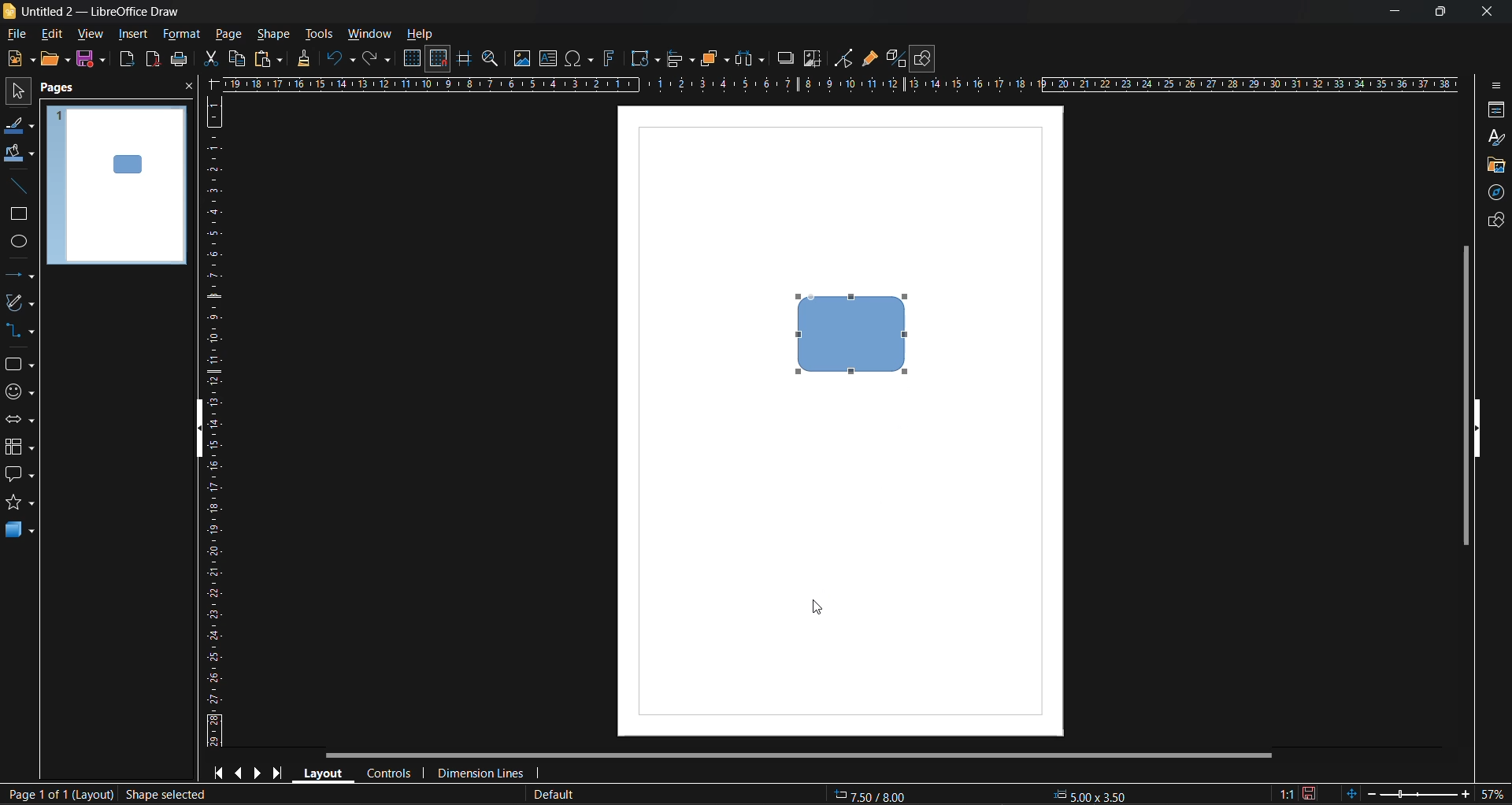 The image size is (1512, 805). Describe the element at coordinates (480, 774) in the screenshot. I see `dimension lines` at that location.